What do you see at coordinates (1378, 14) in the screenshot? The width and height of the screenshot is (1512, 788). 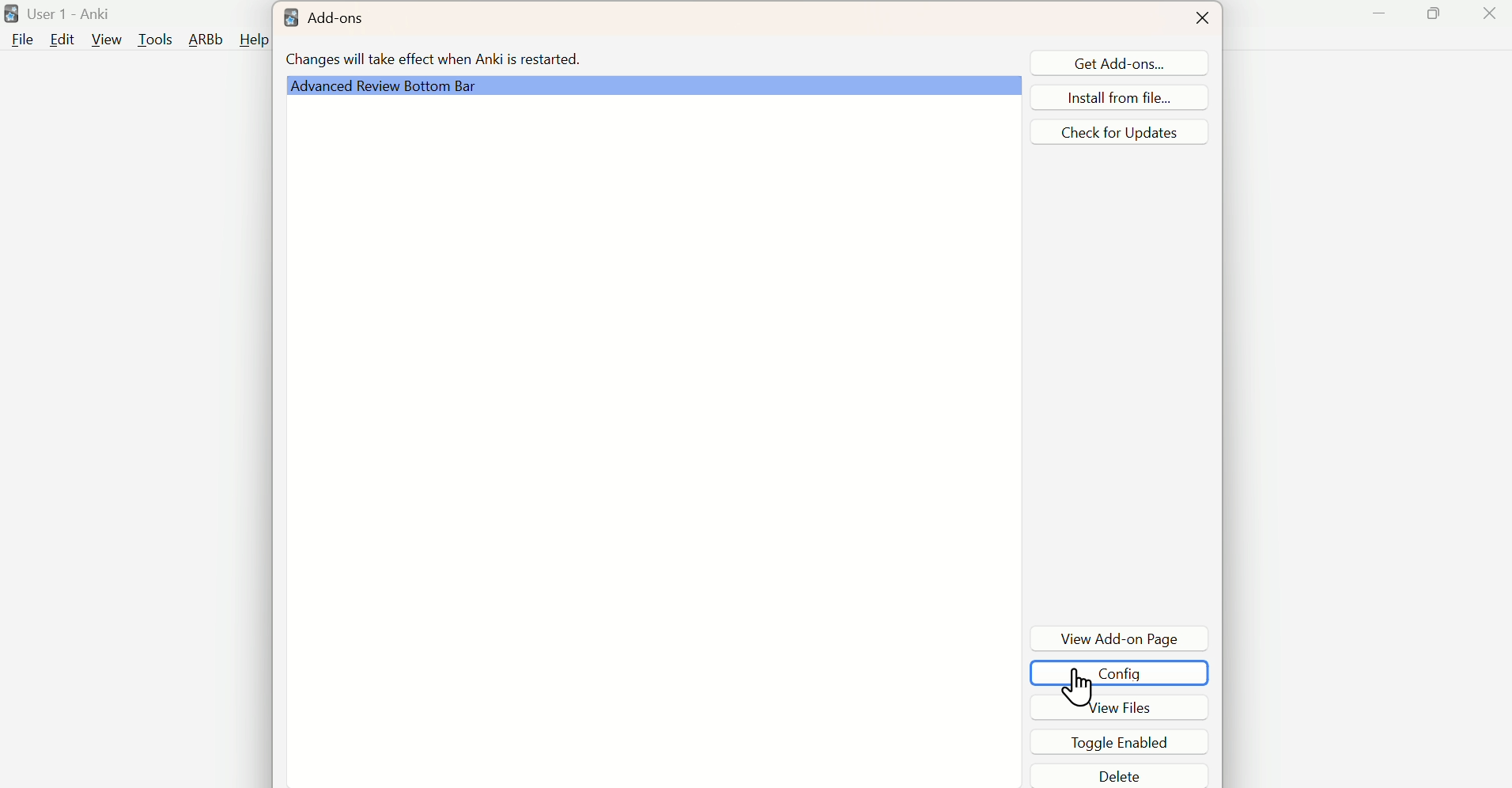 I see `Minimize` at bounding box center [1378, 14].